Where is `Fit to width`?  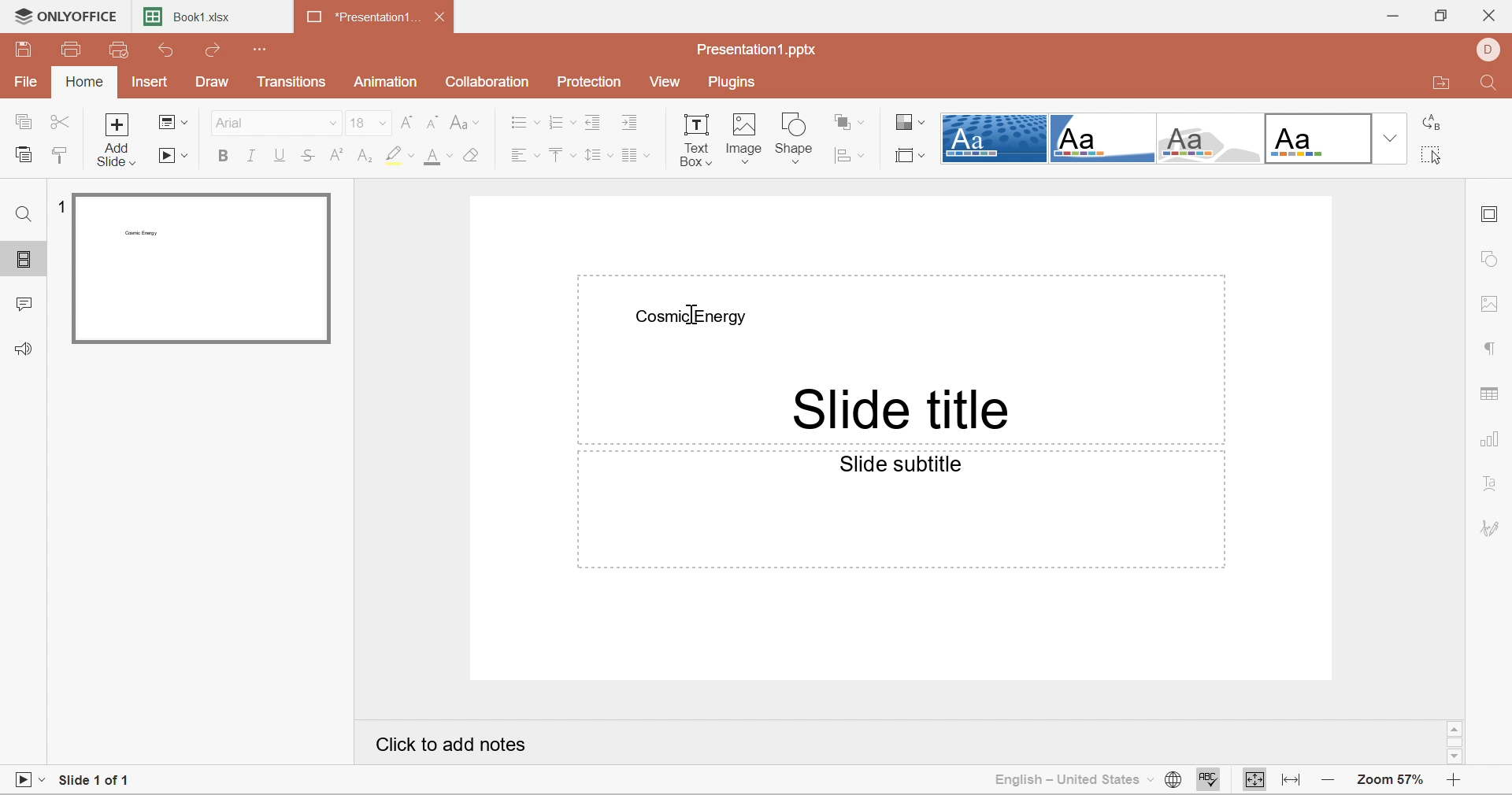
Fit to width is located at coordinates (1292, 778).